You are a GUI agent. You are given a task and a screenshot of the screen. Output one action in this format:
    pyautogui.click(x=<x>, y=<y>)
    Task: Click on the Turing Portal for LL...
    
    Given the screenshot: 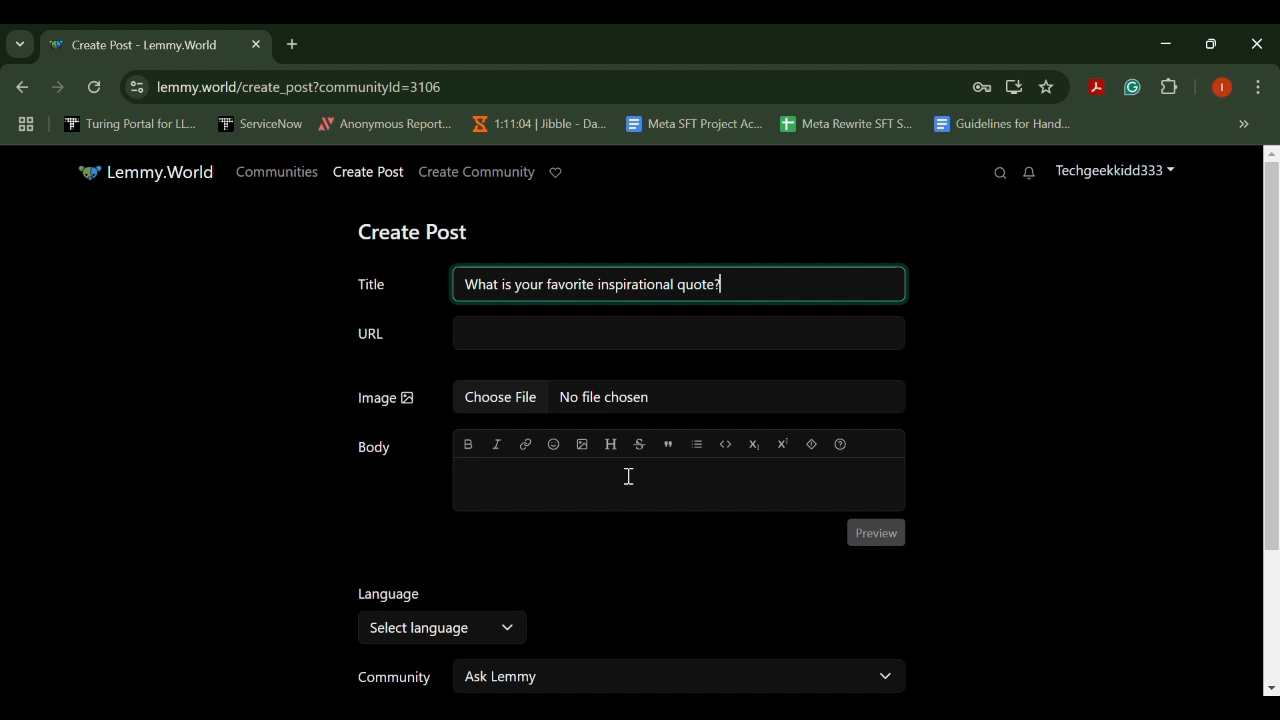 What is the action you would take?
    pyautogui.click(x=130, y=126)
    